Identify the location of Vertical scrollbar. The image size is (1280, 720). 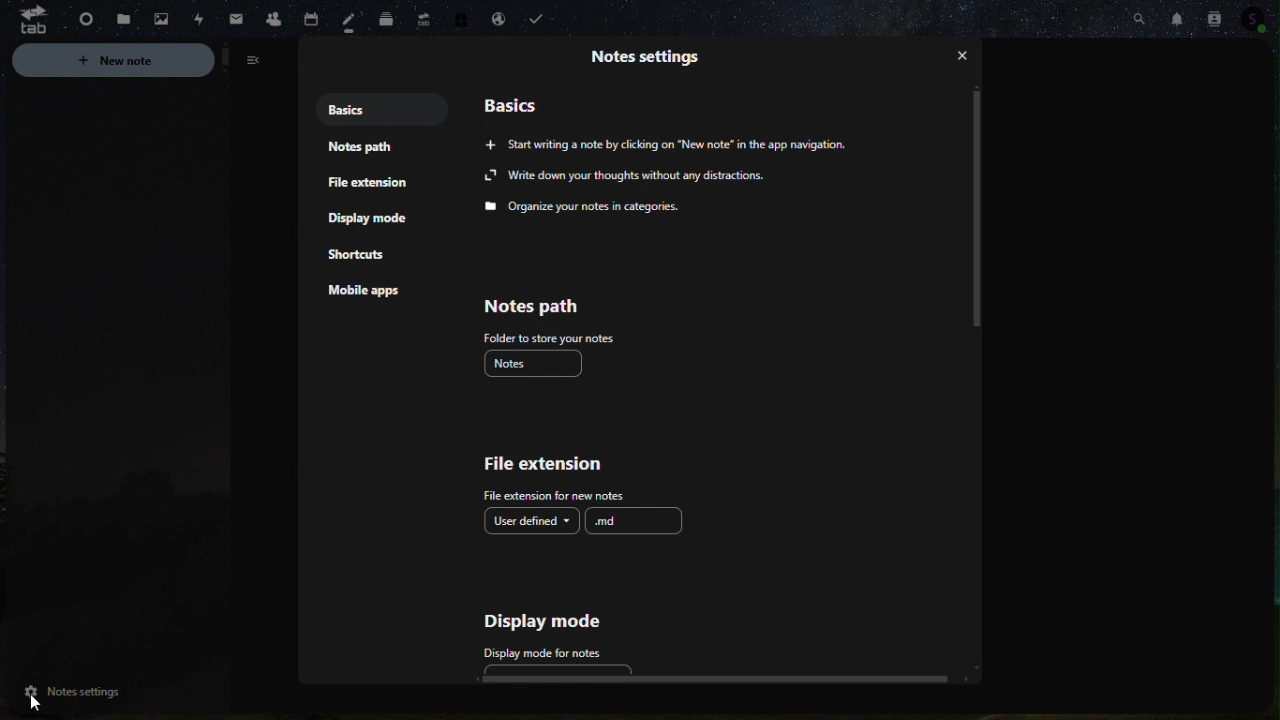
(981, 208).